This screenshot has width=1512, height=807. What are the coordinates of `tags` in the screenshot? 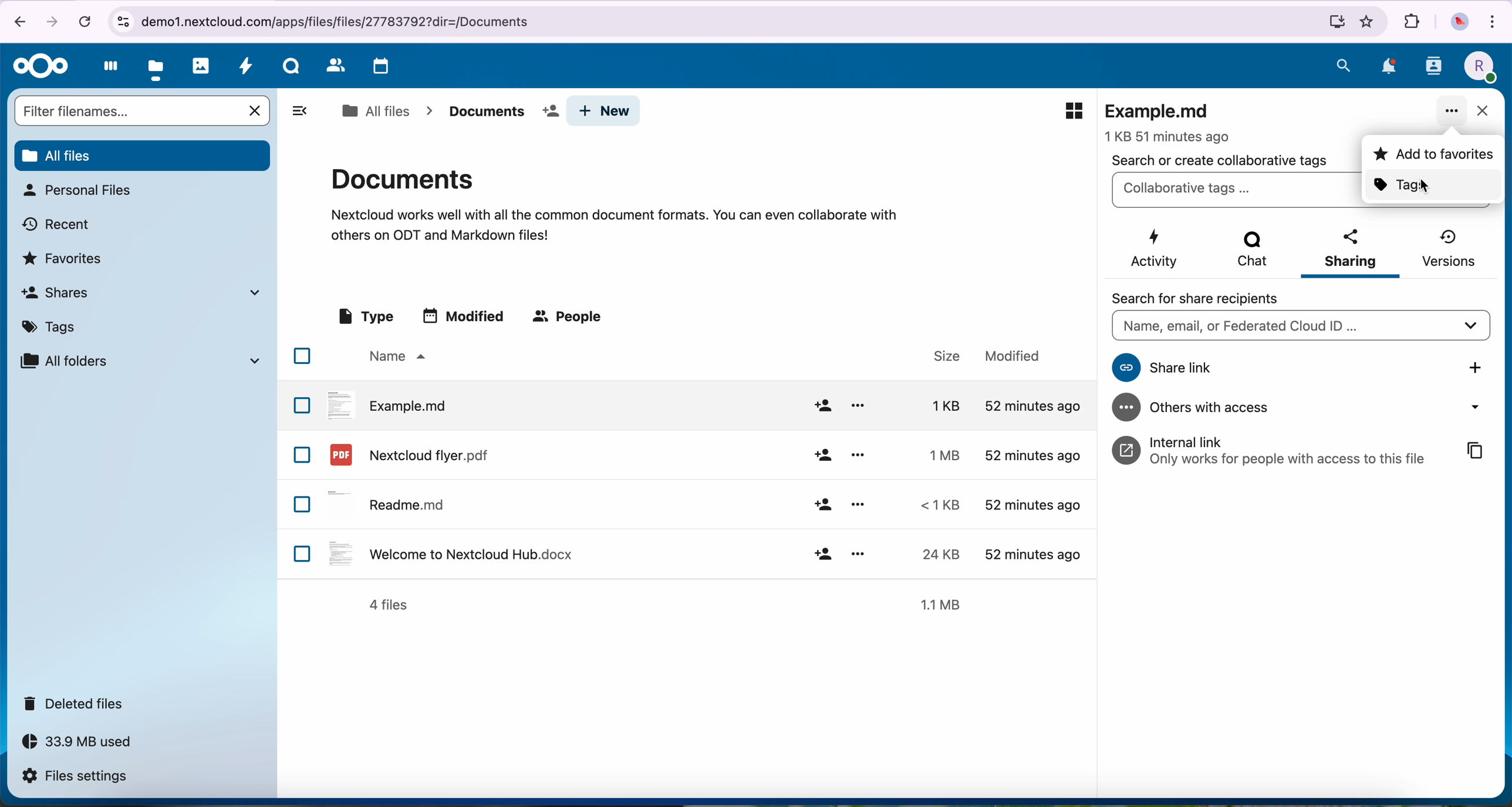 It's located at (1433, 186).